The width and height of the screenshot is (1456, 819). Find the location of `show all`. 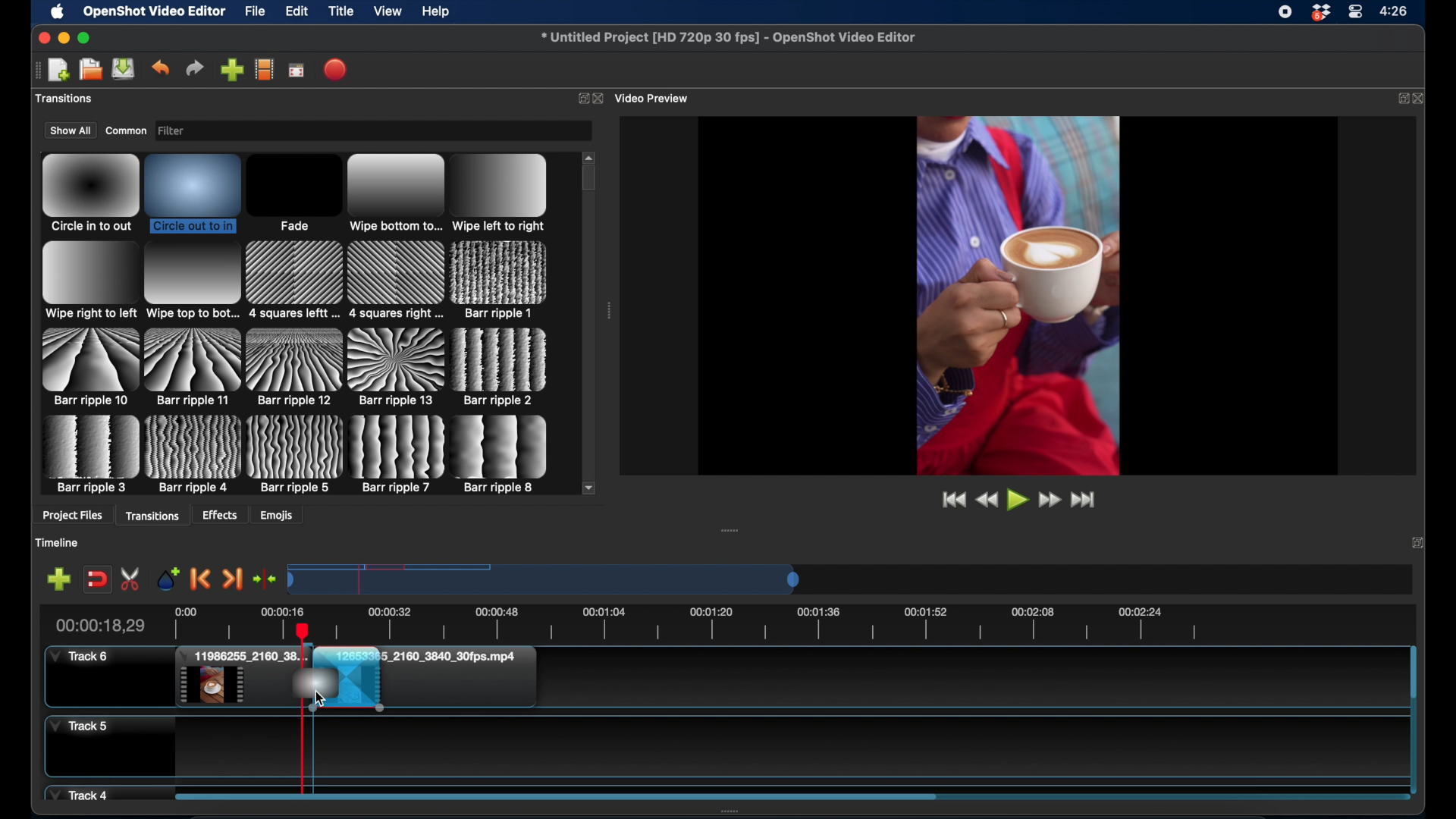

show all is located at coordinates (70, 130).